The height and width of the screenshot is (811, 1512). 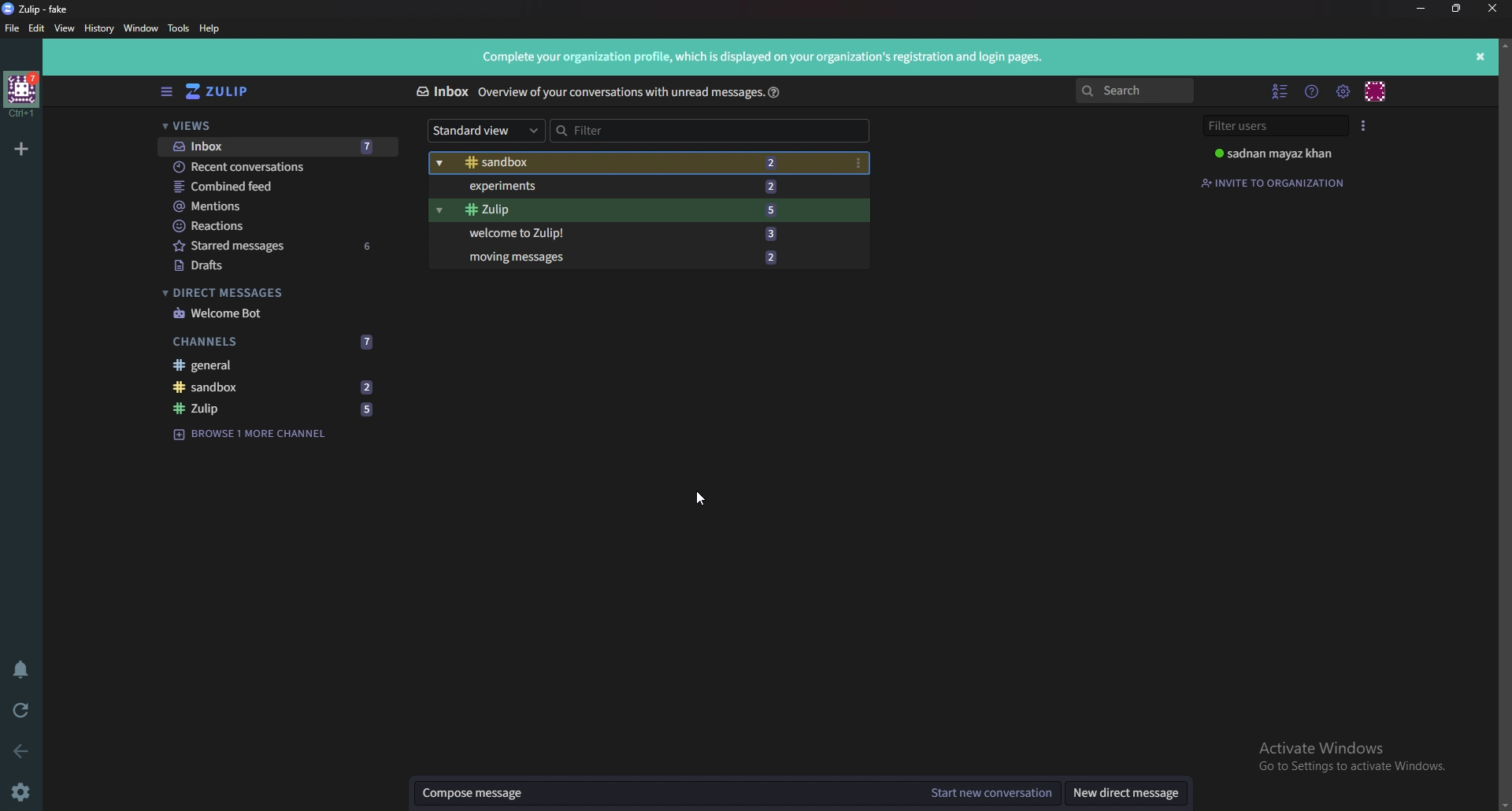 I want to click on view, so click(x=66, y=29).